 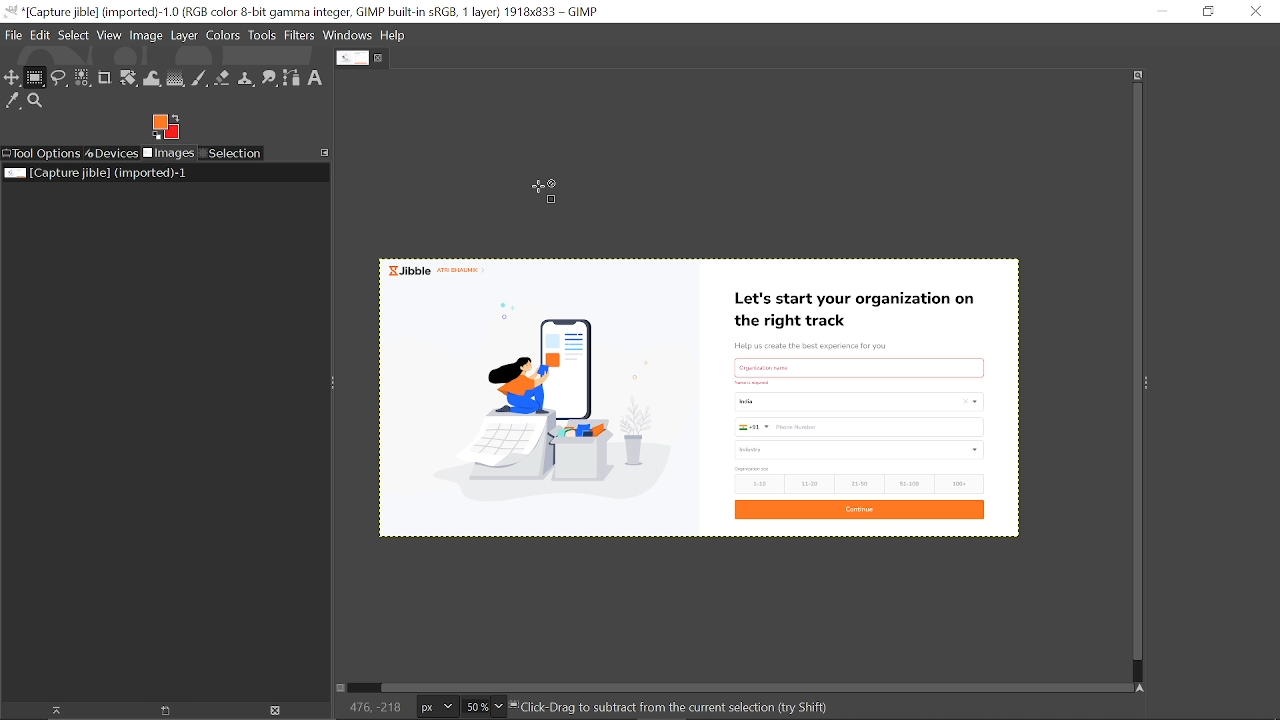 What do you see at coordinates (112, 153) in the screenshot?
I see `Devices` at bounding box center [112, 153].